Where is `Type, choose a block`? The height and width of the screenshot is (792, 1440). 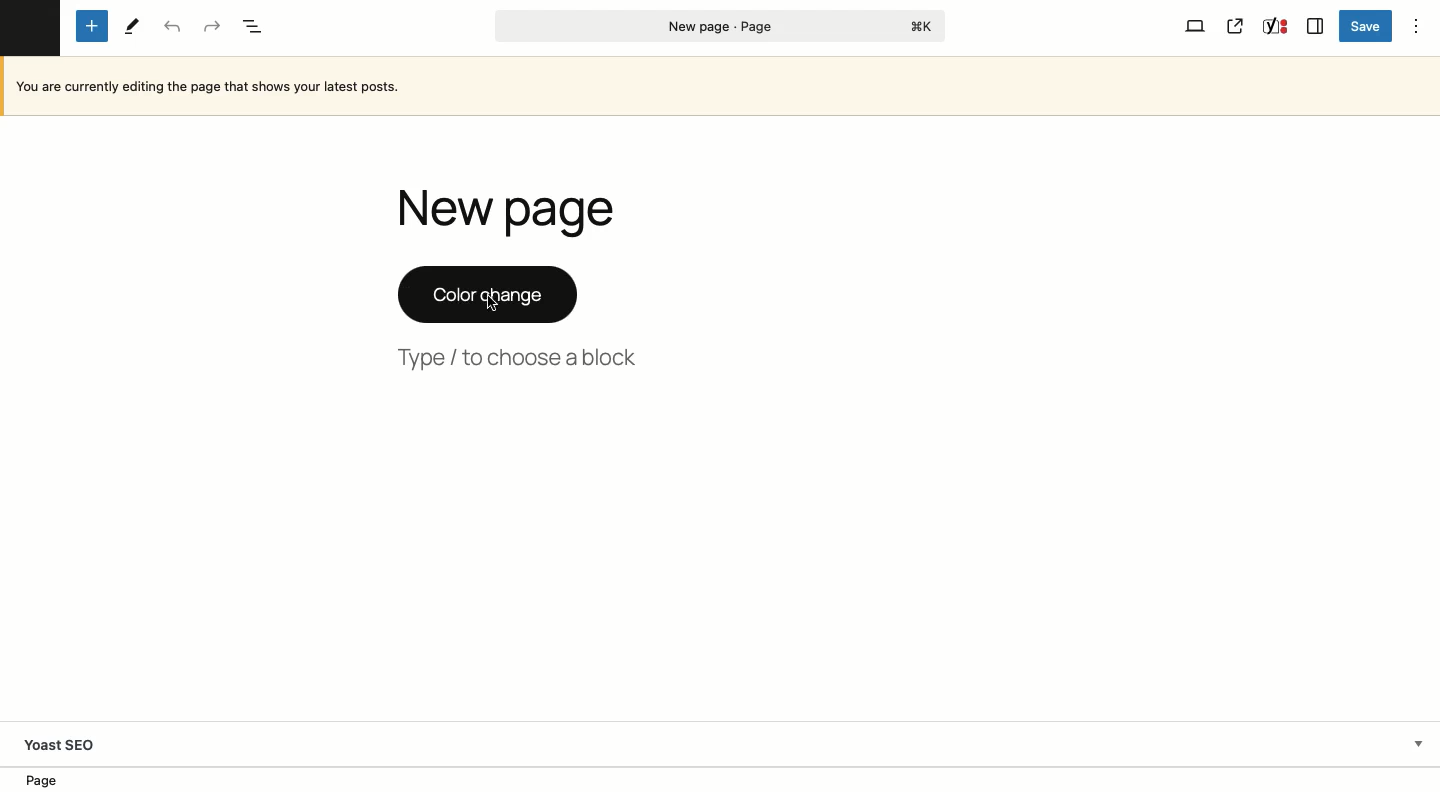
Type, choose a block is located at coordinates (522, 358).